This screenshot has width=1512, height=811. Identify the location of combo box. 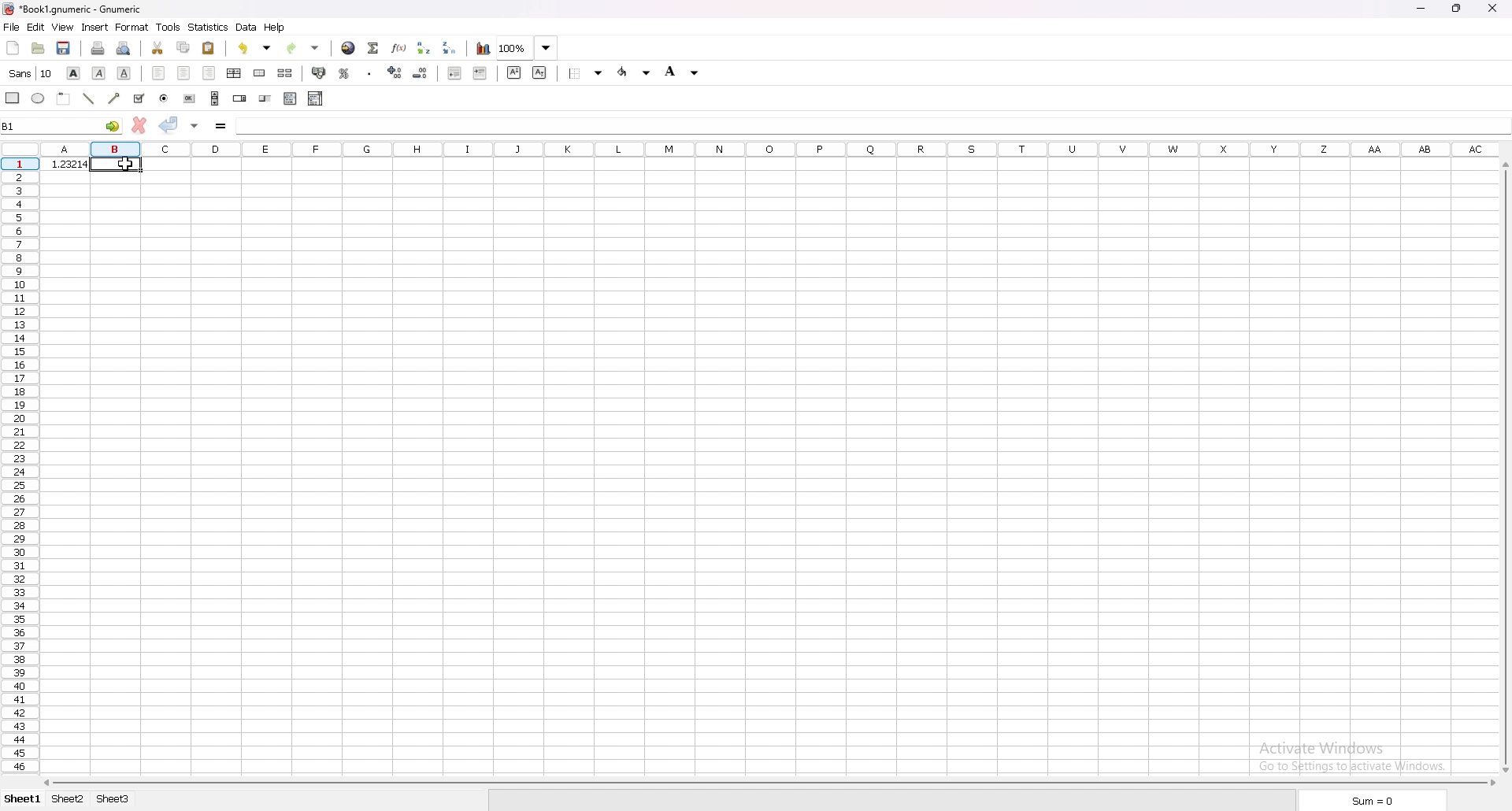
(315, 98).